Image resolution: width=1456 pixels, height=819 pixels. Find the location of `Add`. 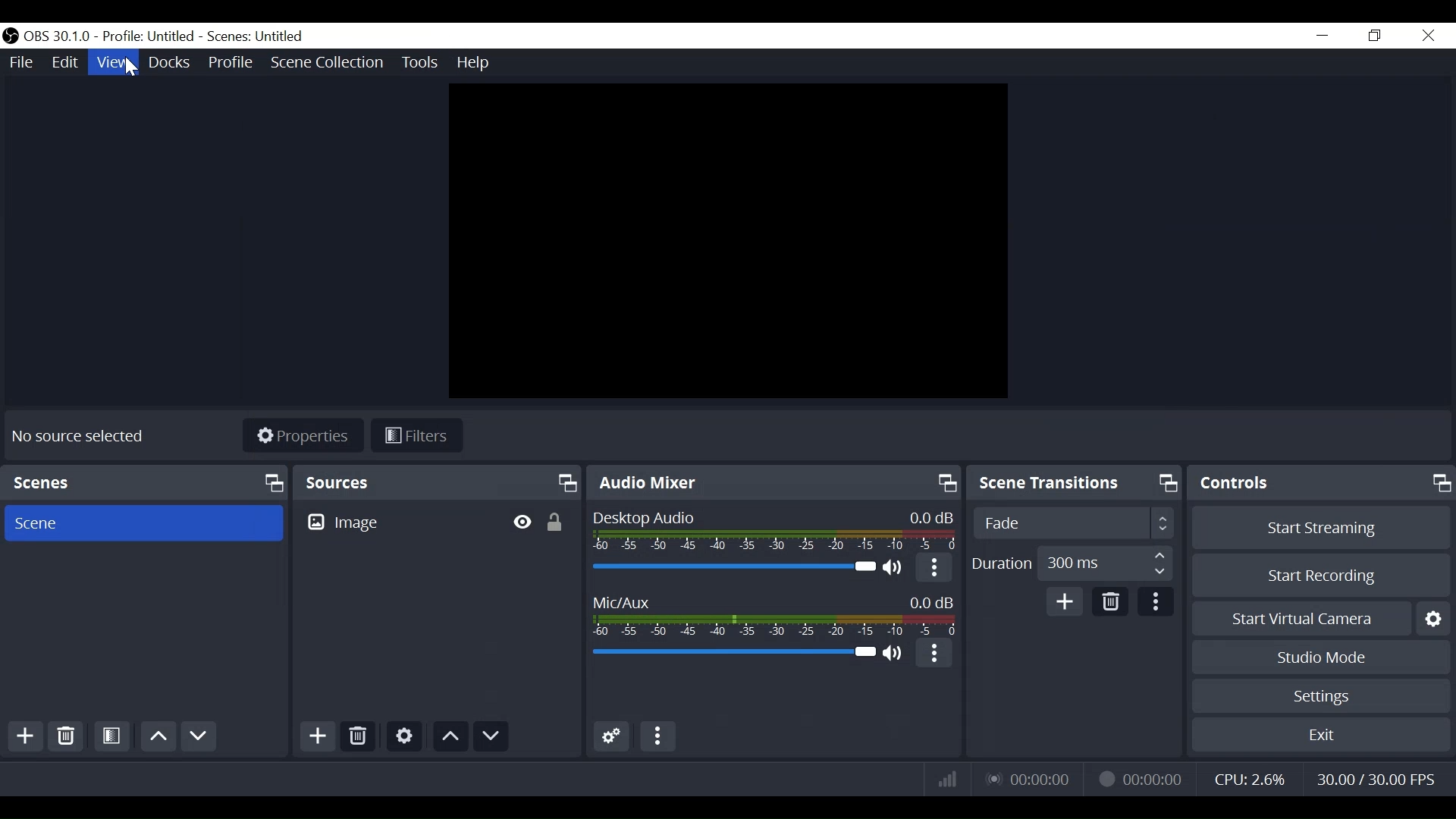

Add is located at coordinates (316, 736).